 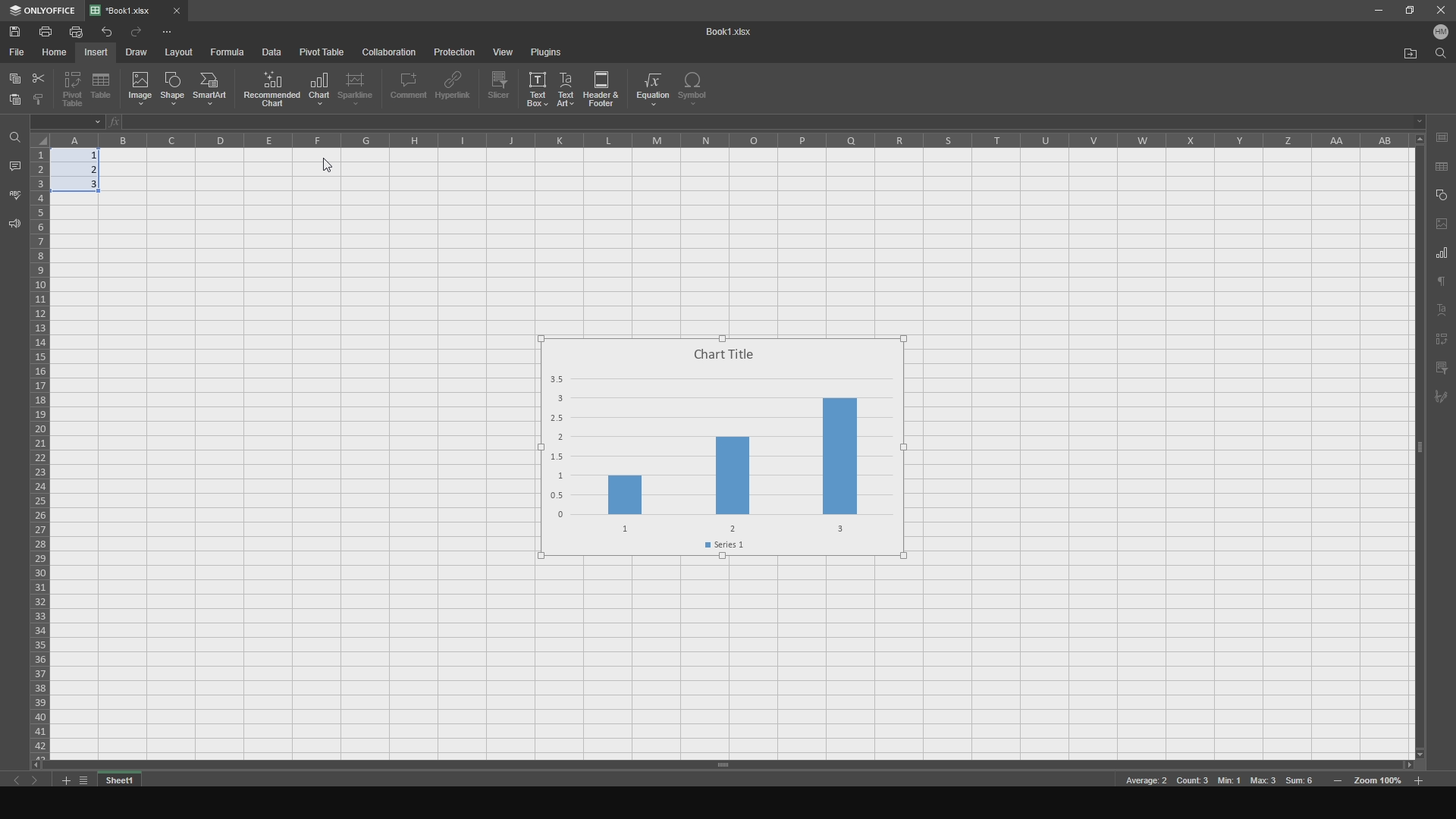 I want to click on home, so click(x=56, y=53).